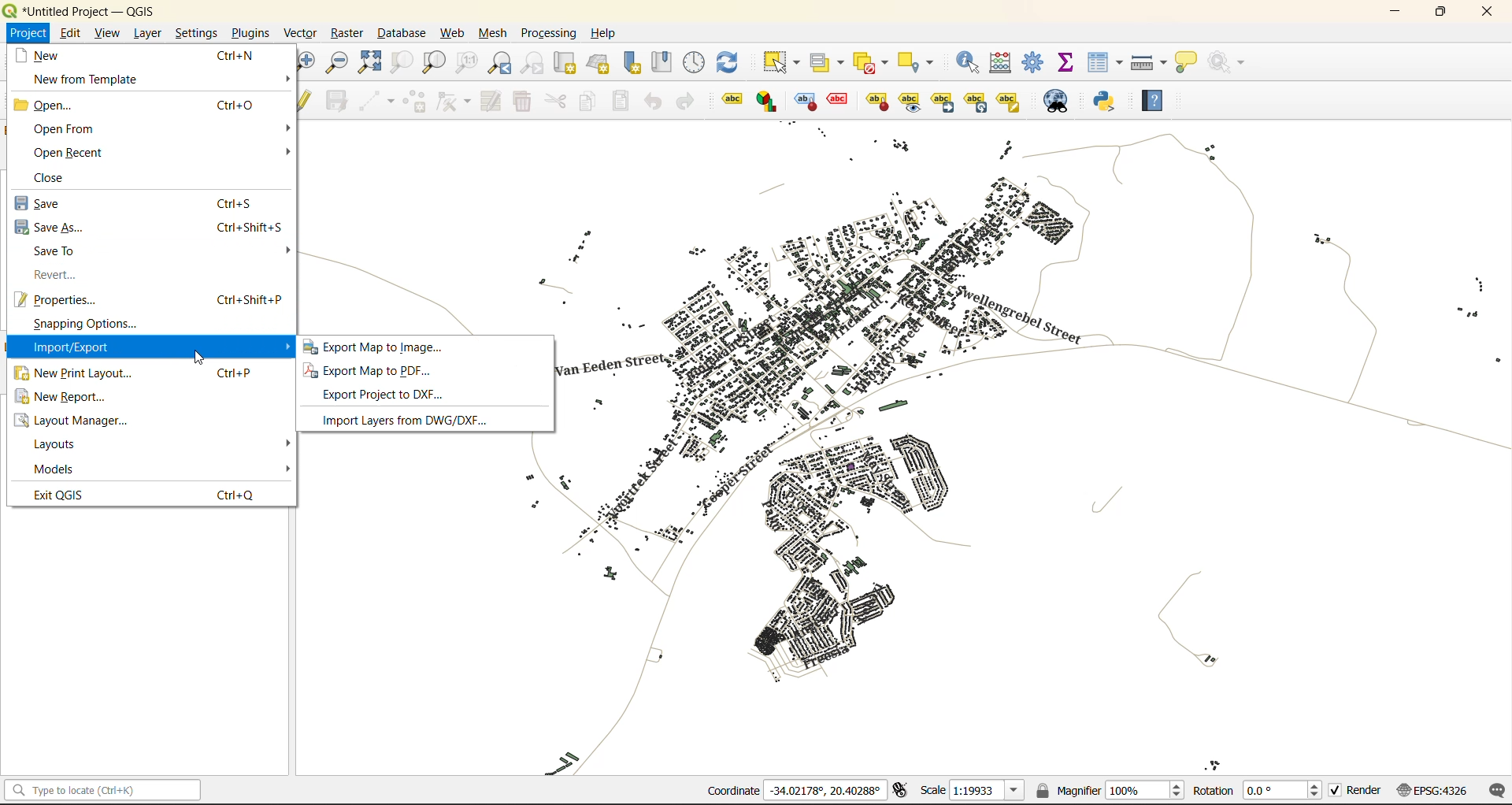 The height and width of the screenshot is (805, 1512). I want to click on layouts, so click(61, 444).